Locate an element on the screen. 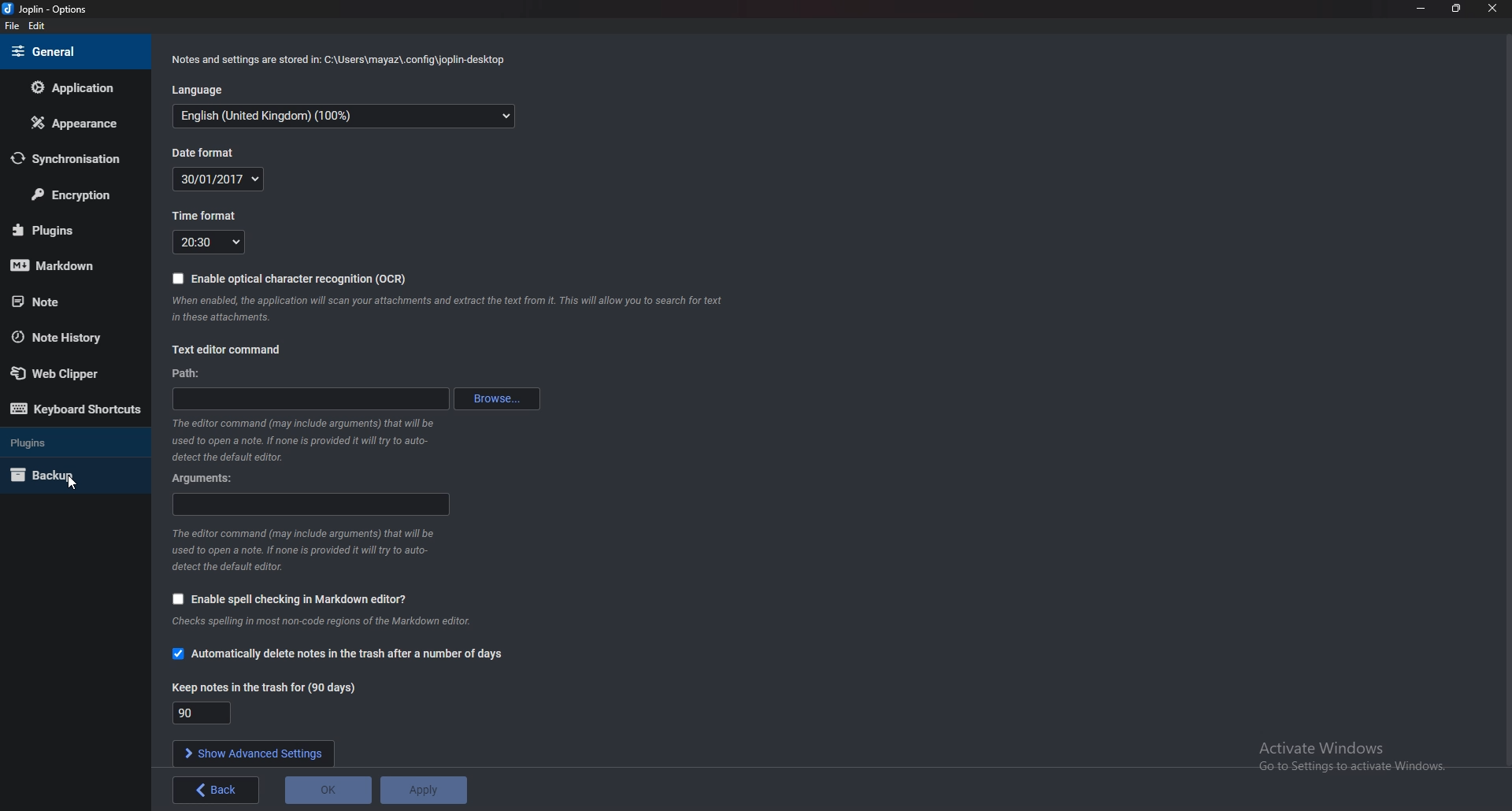  Synchronization is located at coordinates (76, 161).